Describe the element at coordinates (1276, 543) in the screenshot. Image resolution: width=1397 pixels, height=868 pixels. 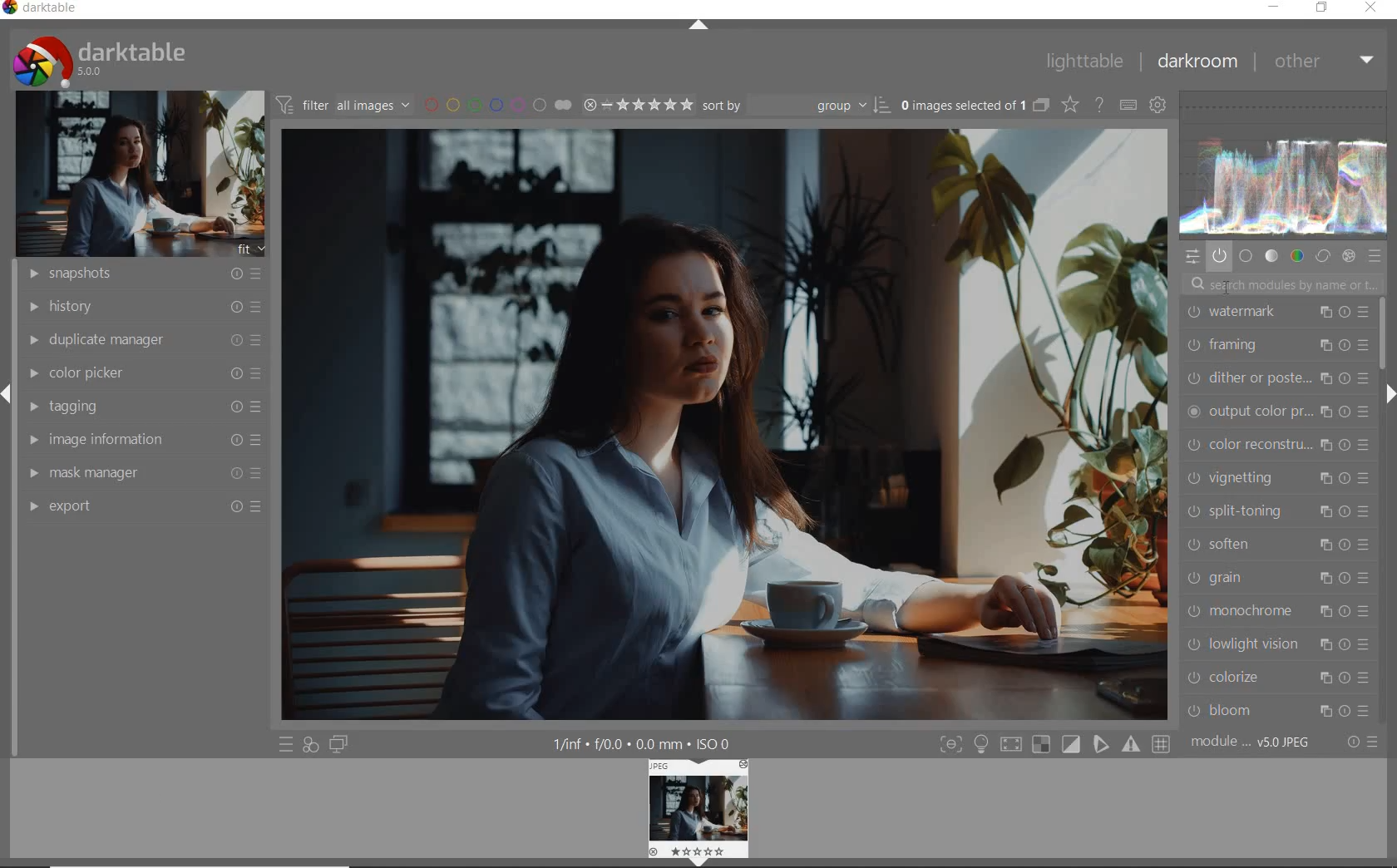
I see `soften` at that location.